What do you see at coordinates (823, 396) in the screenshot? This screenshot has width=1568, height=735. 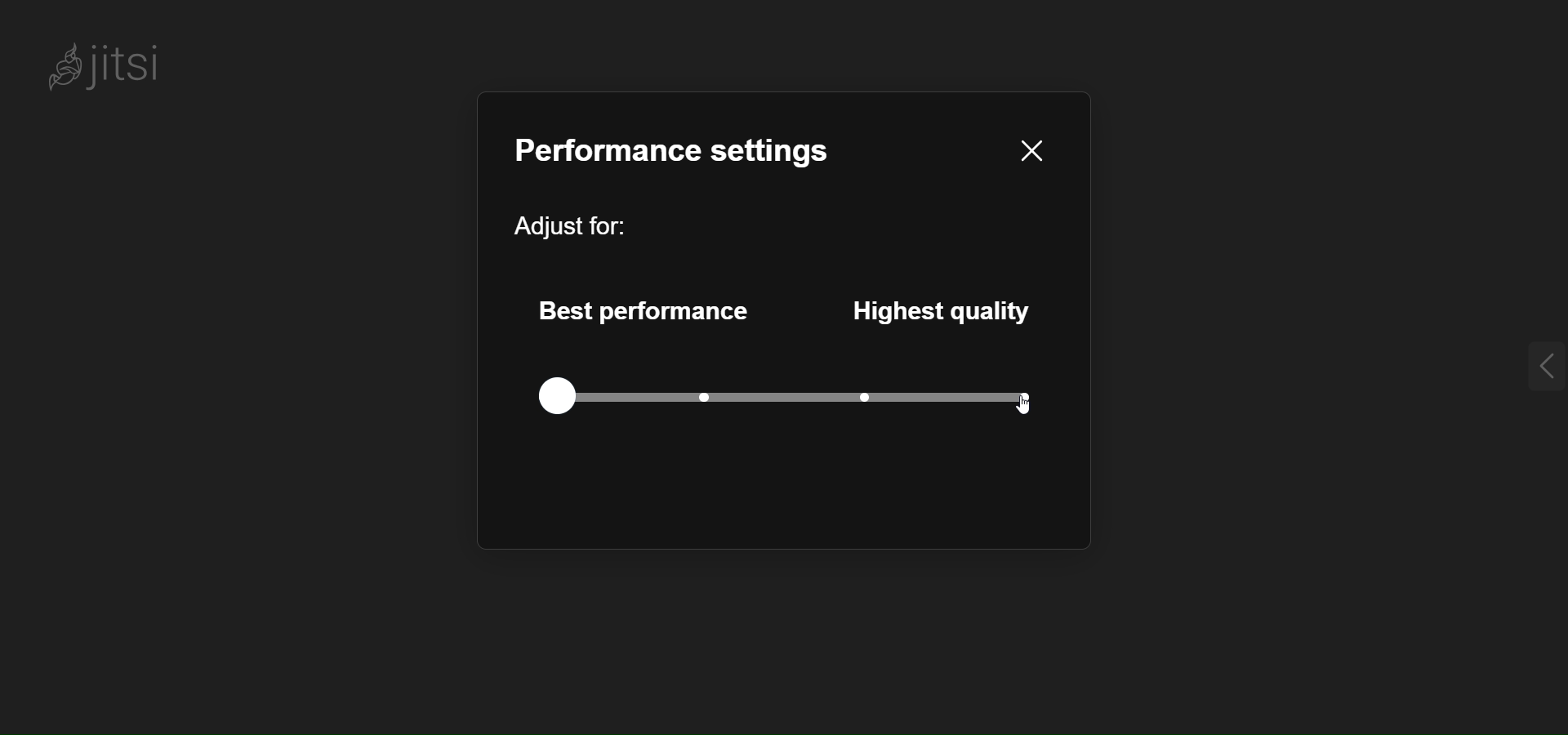 I see `quality level` at bounding box center [823, 396].